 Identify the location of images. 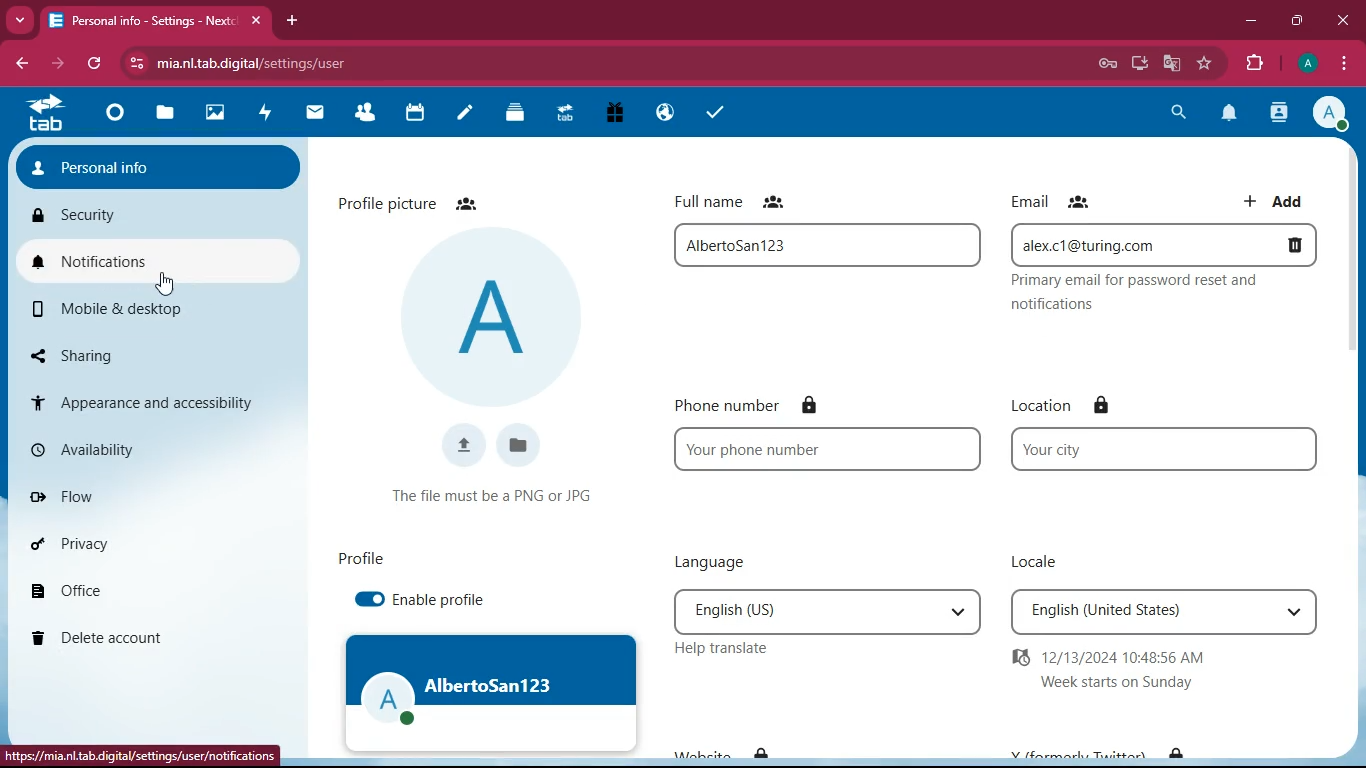
(216, 114).